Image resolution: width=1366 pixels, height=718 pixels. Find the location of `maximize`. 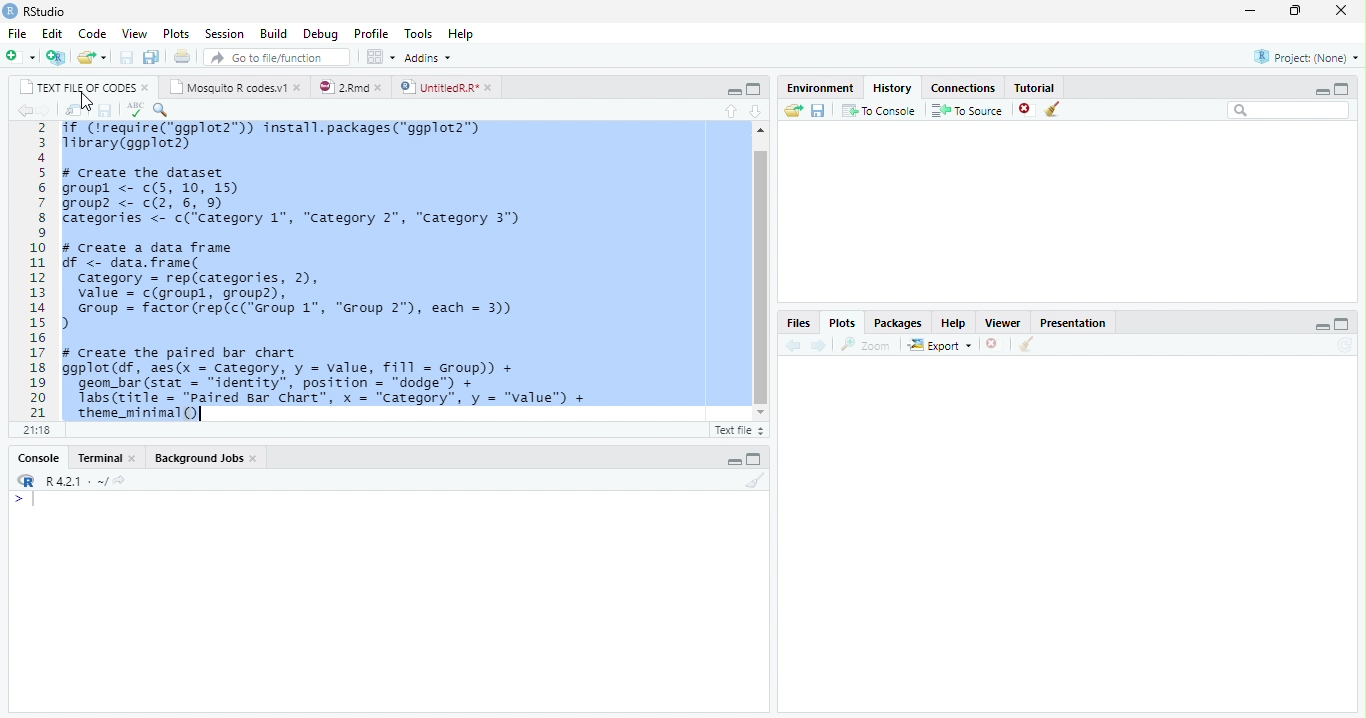

maximize is located at coordinates (1346, 89).